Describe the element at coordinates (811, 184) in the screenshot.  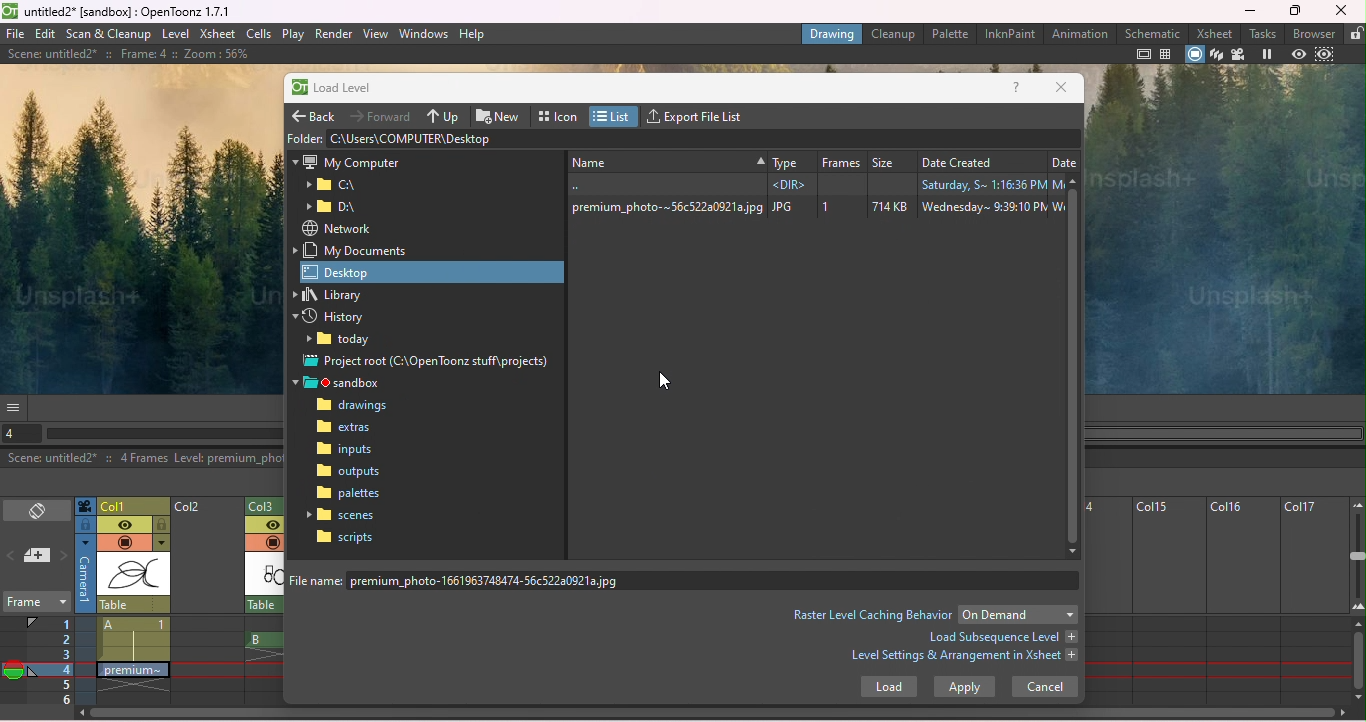
I see `<DIR> Saturday, S~ 1:16:36 PM` at that location.